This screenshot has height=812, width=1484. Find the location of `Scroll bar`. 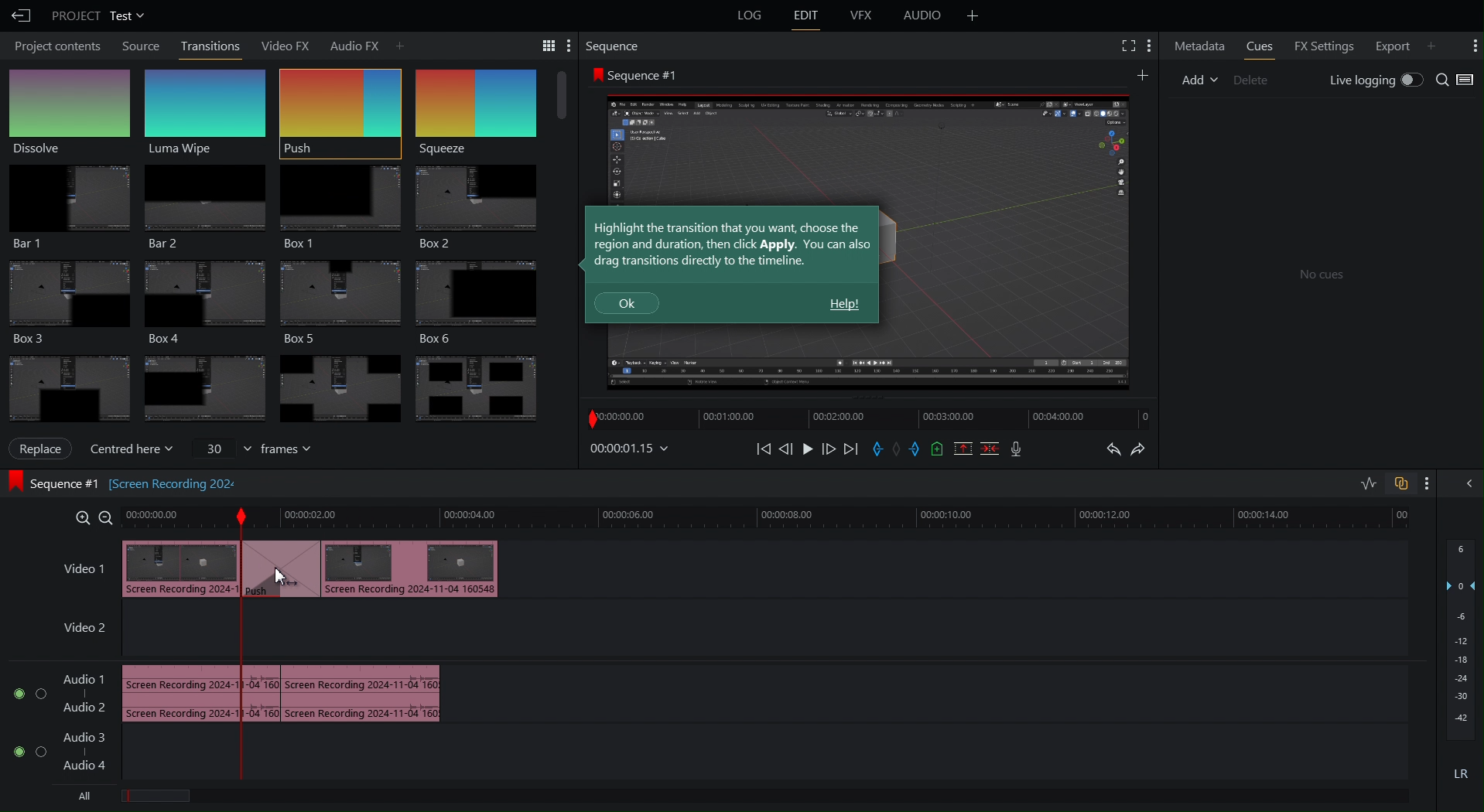

Scroll bar is located at coordinates (562, 96).